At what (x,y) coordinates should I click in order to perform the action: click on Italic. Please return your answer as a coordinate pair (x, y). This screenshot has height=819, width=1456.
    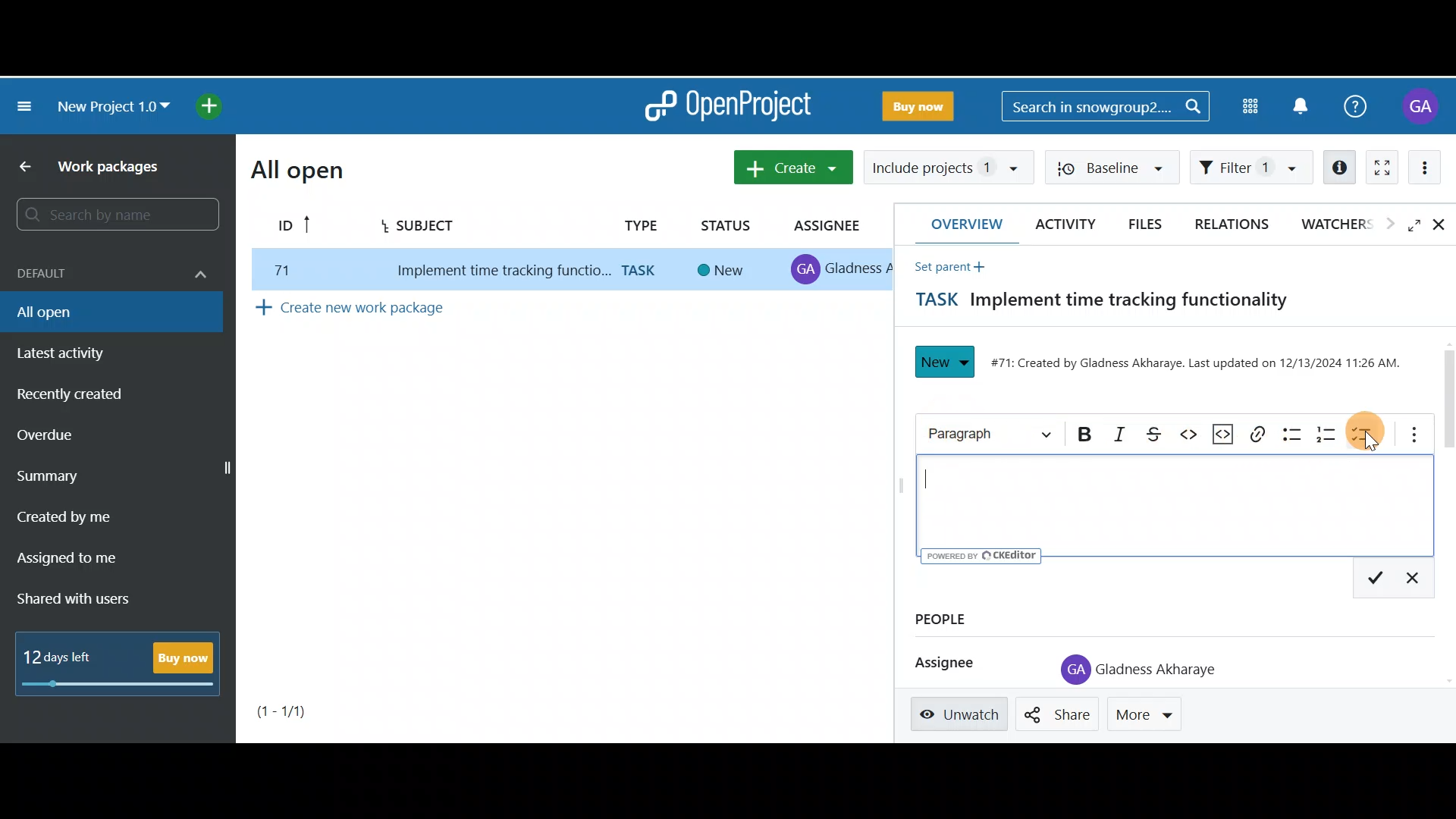
    Looking at the image, I should click on (1119, 433).